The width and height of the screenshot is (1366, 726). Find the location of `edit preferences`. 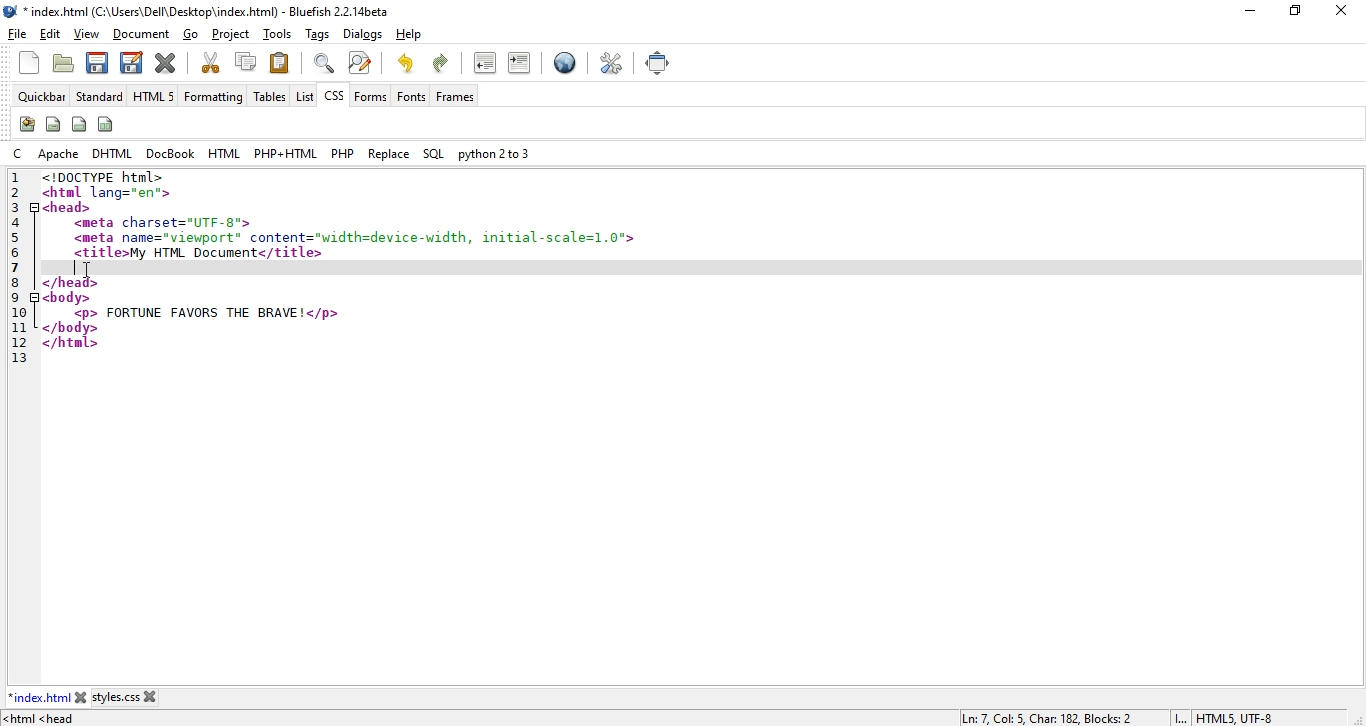

edit preferences is located at coordinates (613, 62).